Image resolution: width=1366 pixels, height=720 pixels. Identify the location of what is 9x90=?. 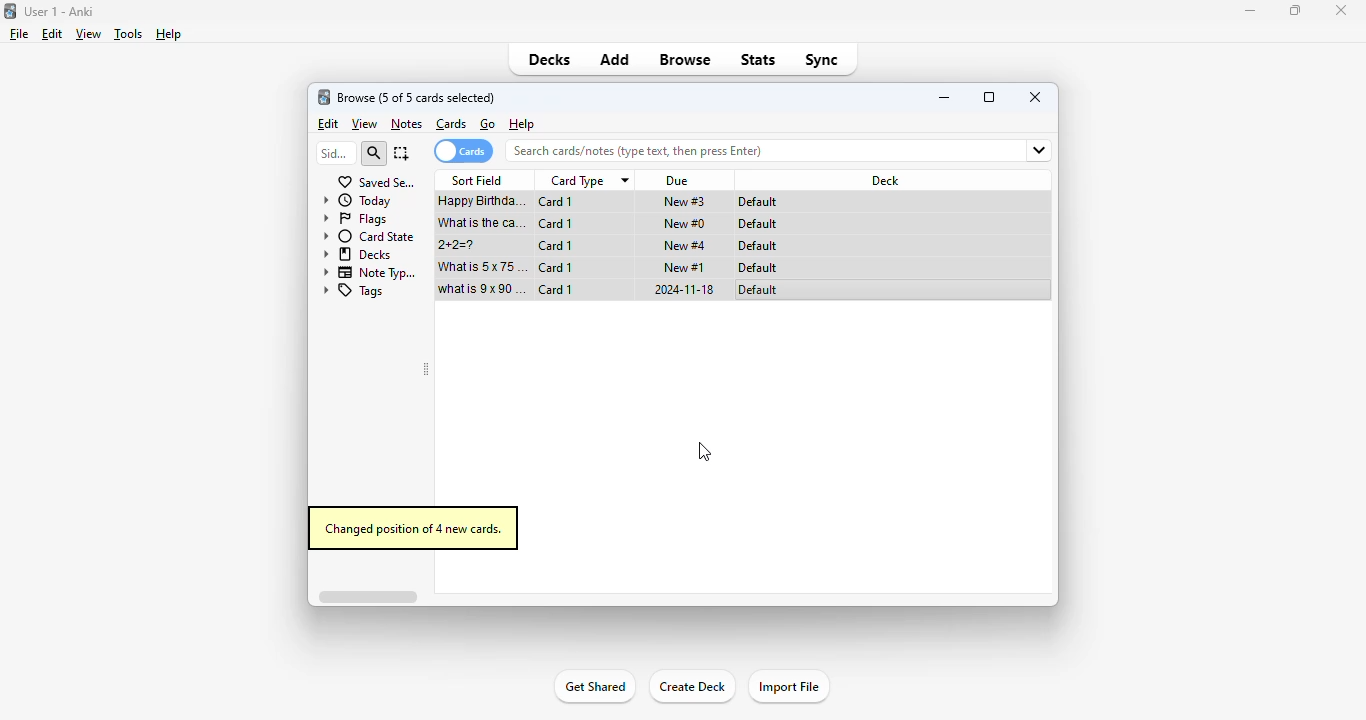
(482, 289).